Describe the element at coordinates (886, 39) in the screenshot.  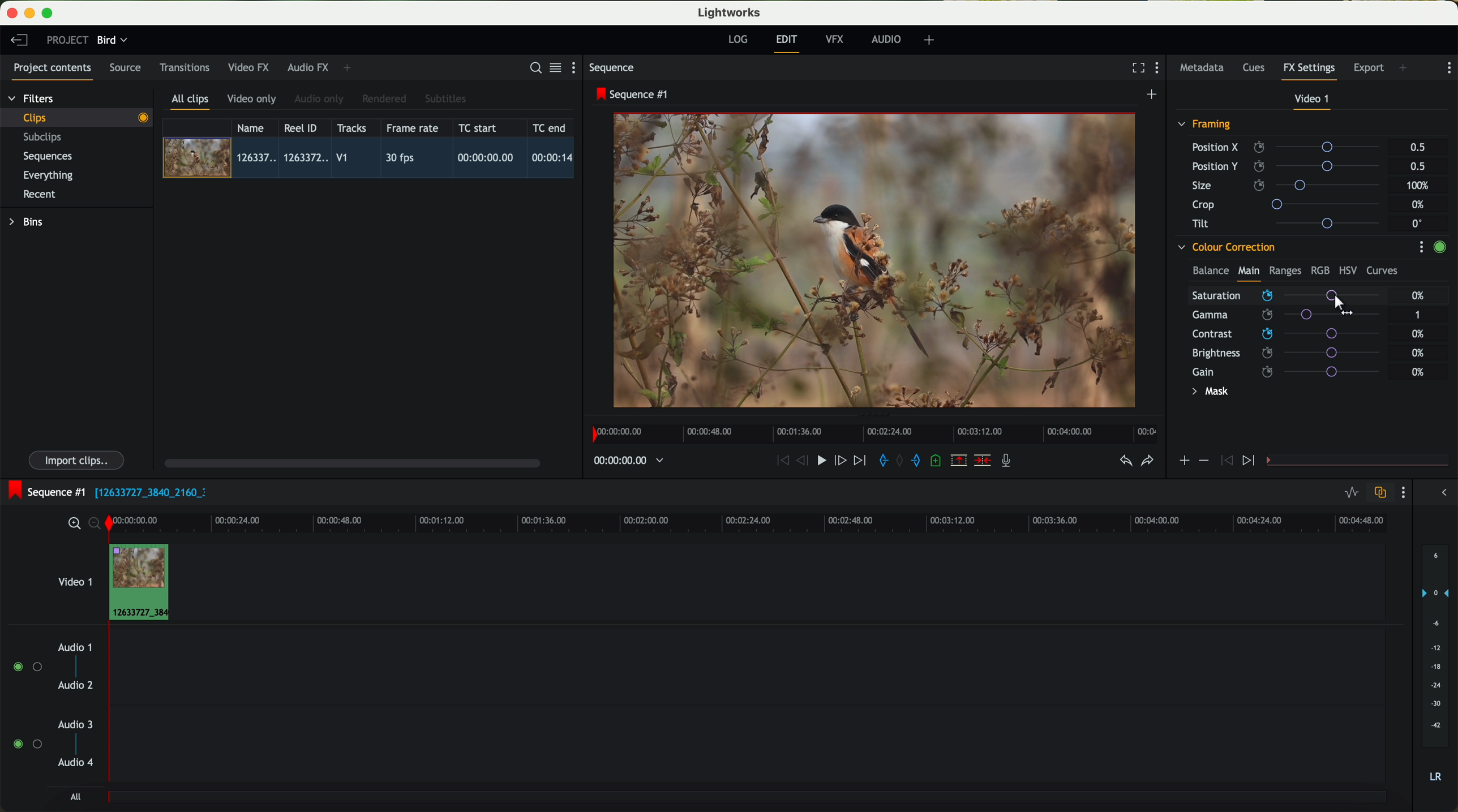
I see `audio` at that location.